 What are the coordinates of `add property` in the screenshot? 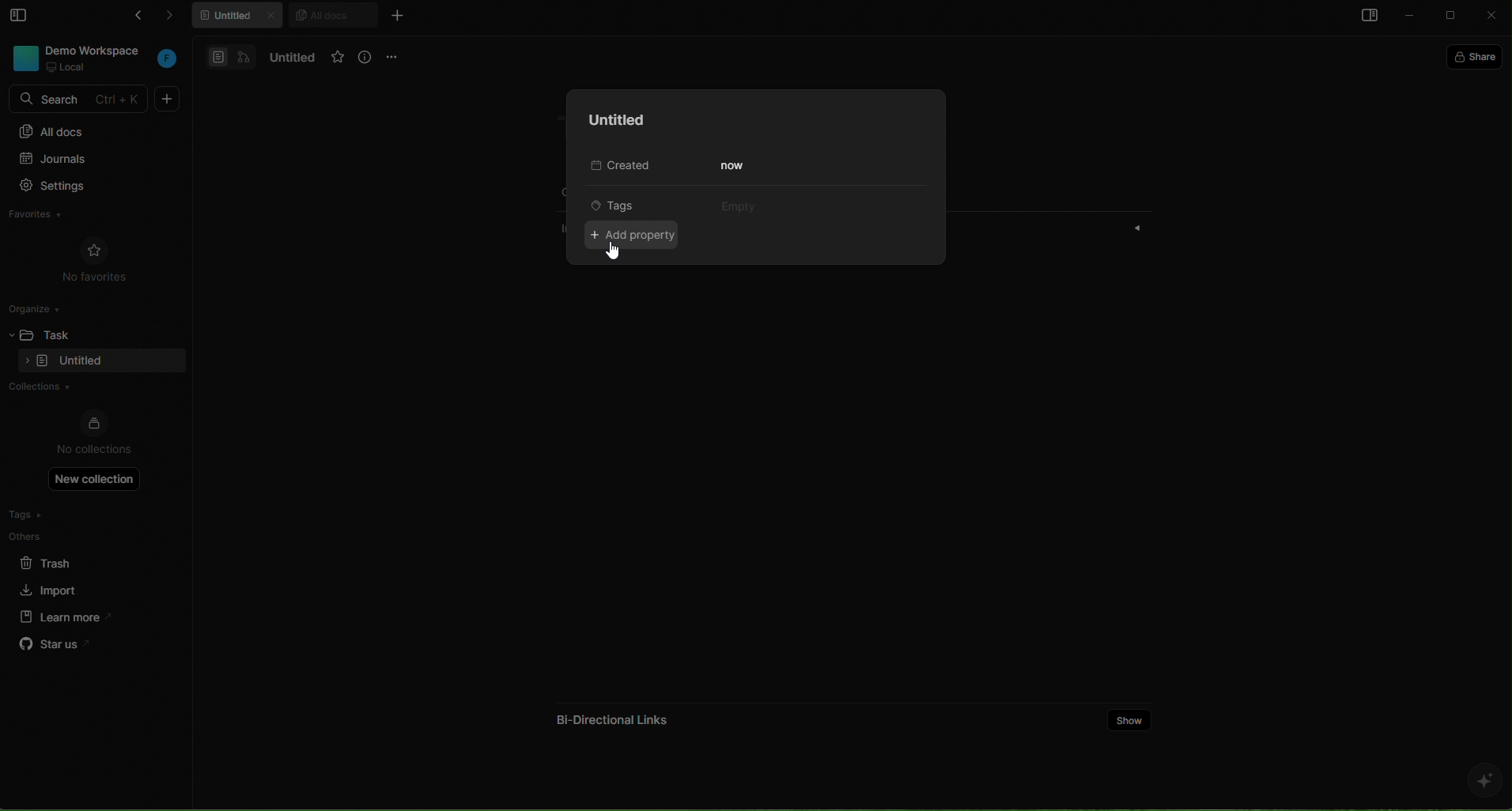 It's located at (637, 236).